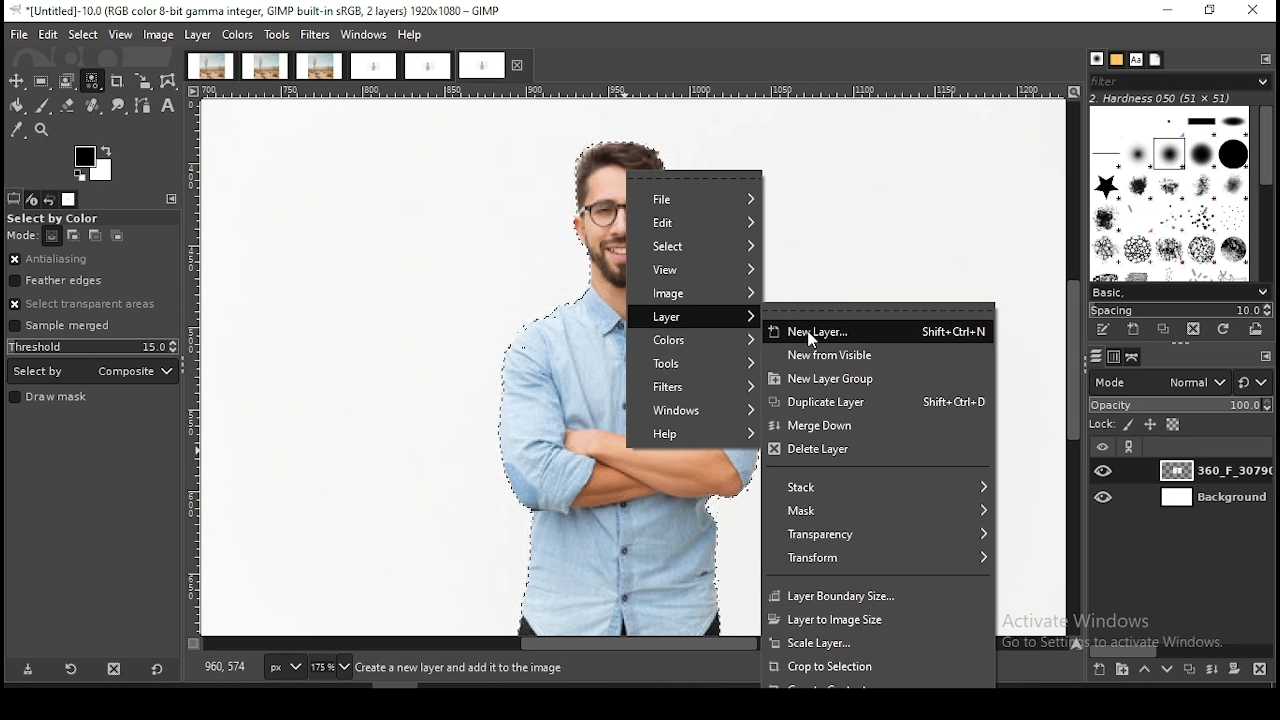  I want to click on merge layers, so click(1212, 668).